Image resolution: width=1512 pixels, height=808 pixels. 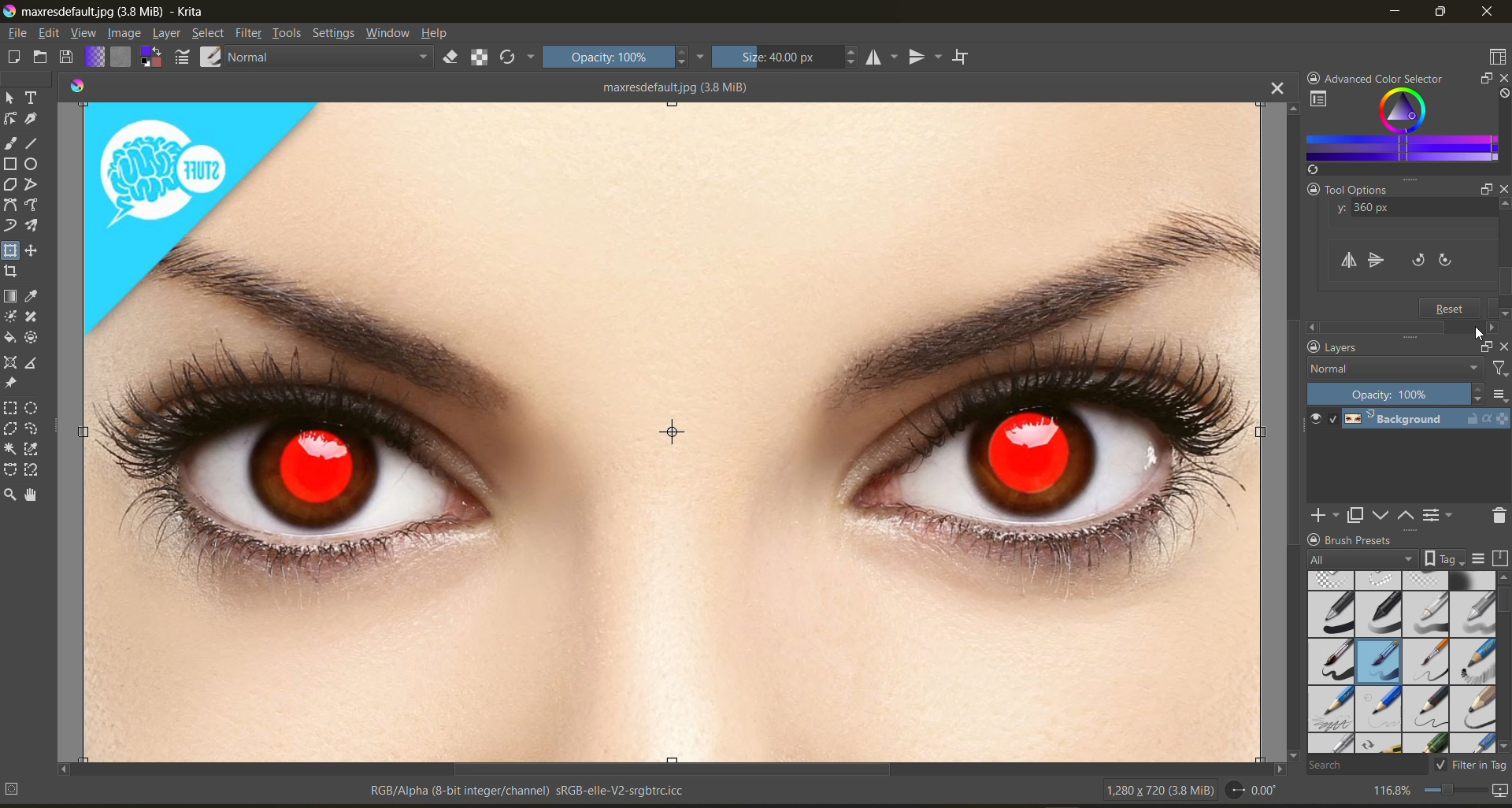 I want to click on storage resources, so click(x=1499, y=558).